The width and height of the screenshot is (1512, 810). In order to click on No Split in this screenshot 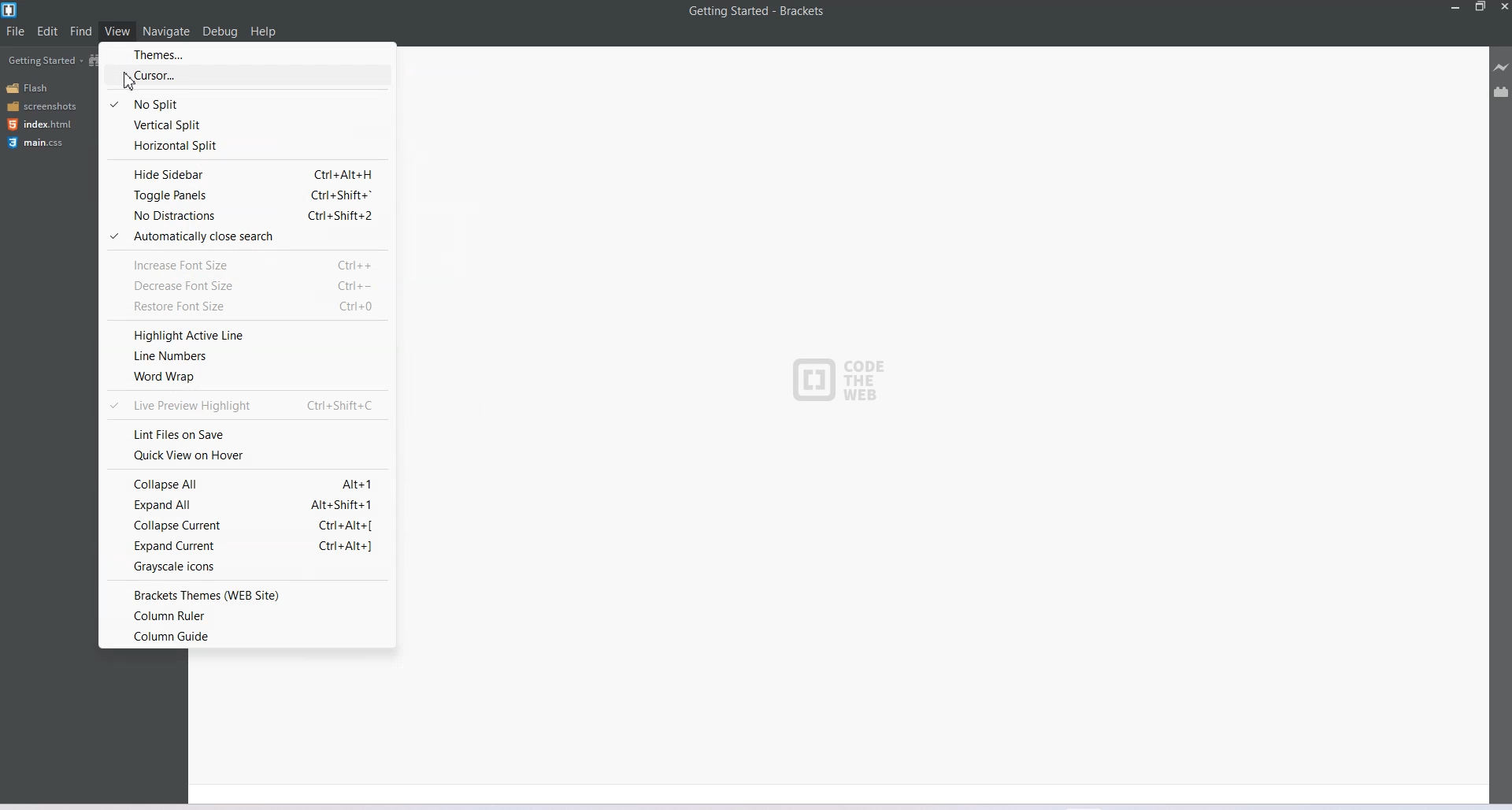, I will do `click(245, 102)`.